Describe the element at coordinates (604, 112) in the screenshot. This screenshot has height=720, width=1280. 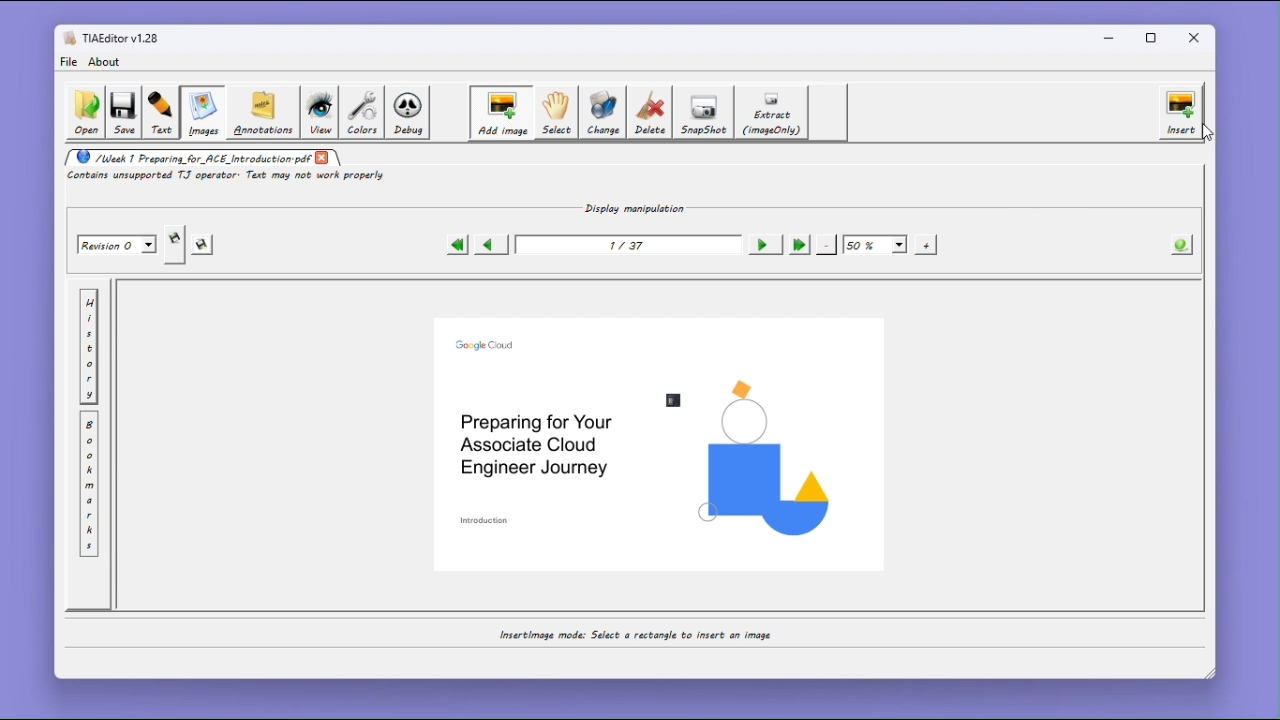
I see `Change` at that location.